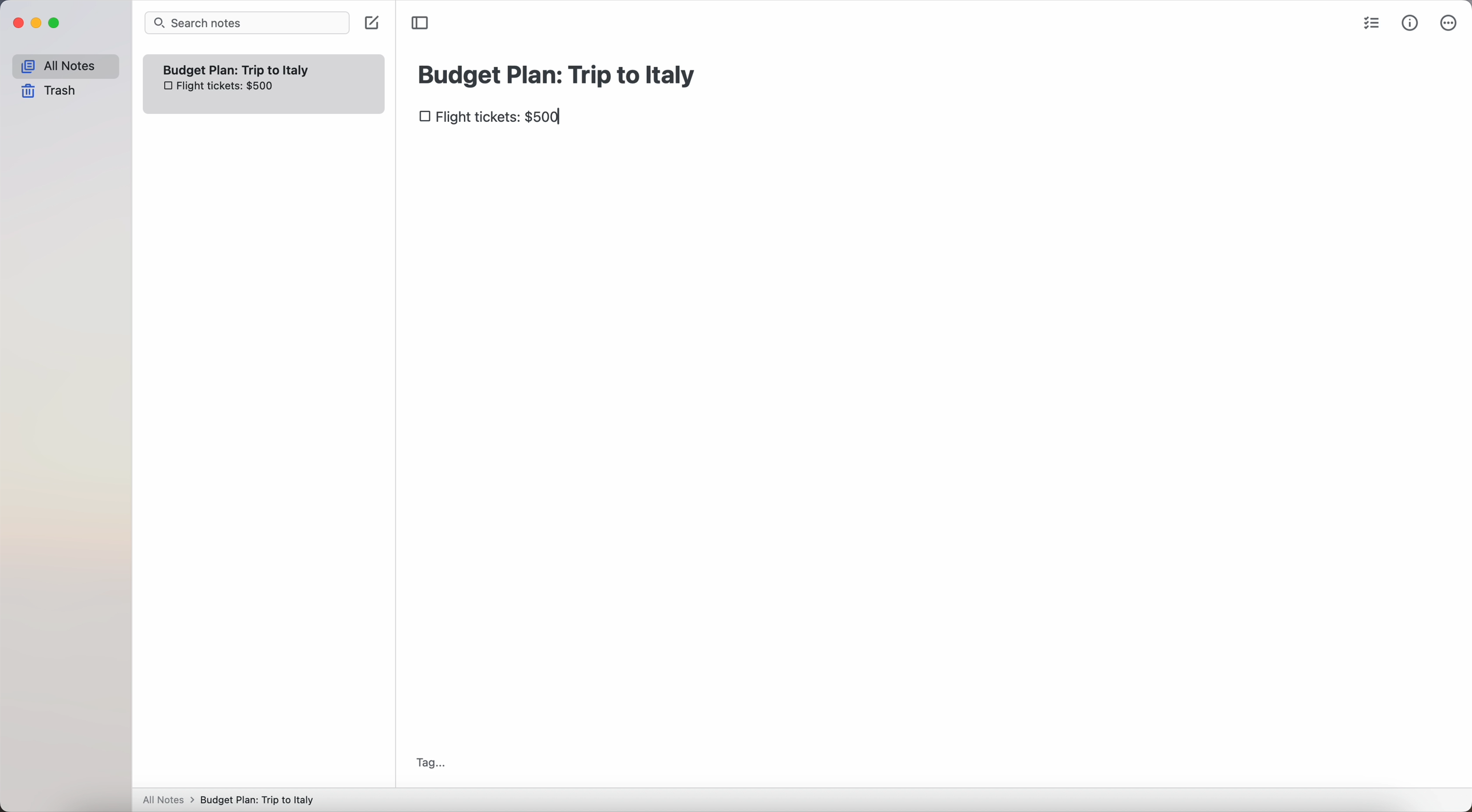 The image size is (1472, 812). I want to click on trash, so click(49, 91).